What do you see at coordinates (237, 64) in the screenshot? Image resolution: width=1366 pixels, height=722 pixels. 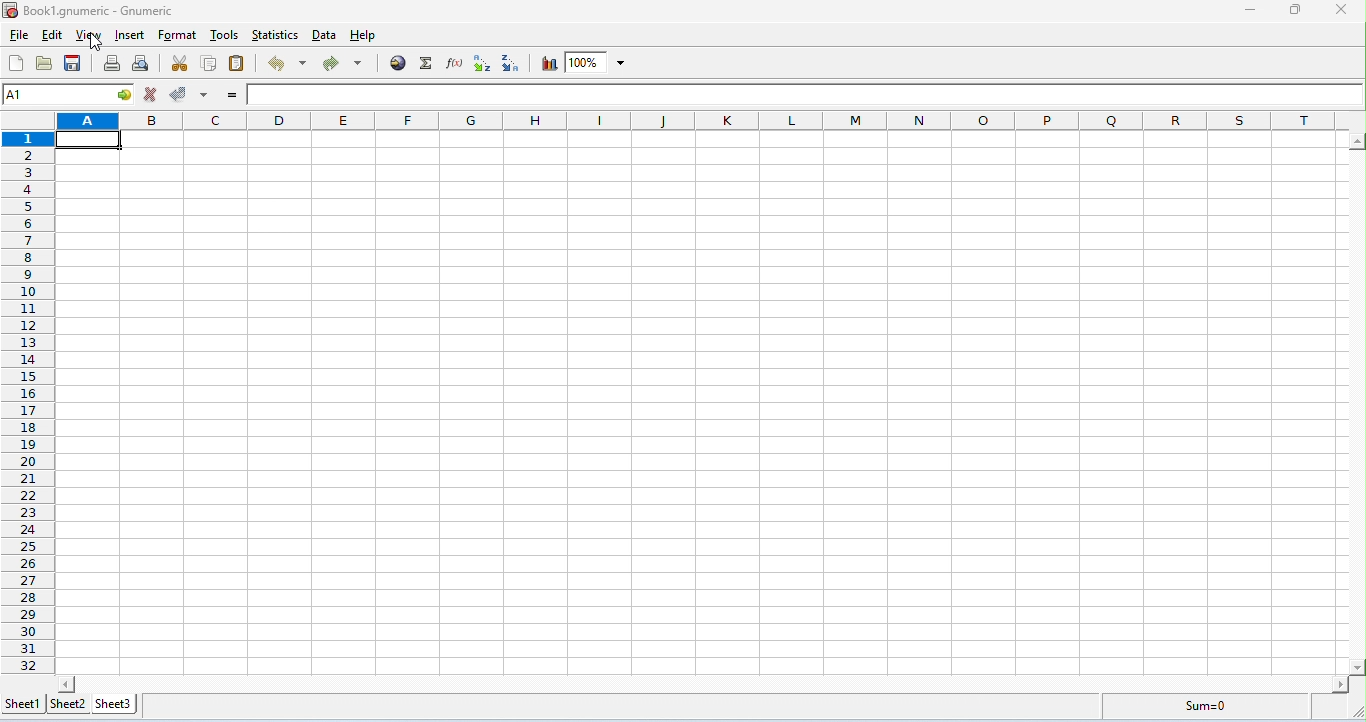 I see `paste` at bounding box center [237, 64].